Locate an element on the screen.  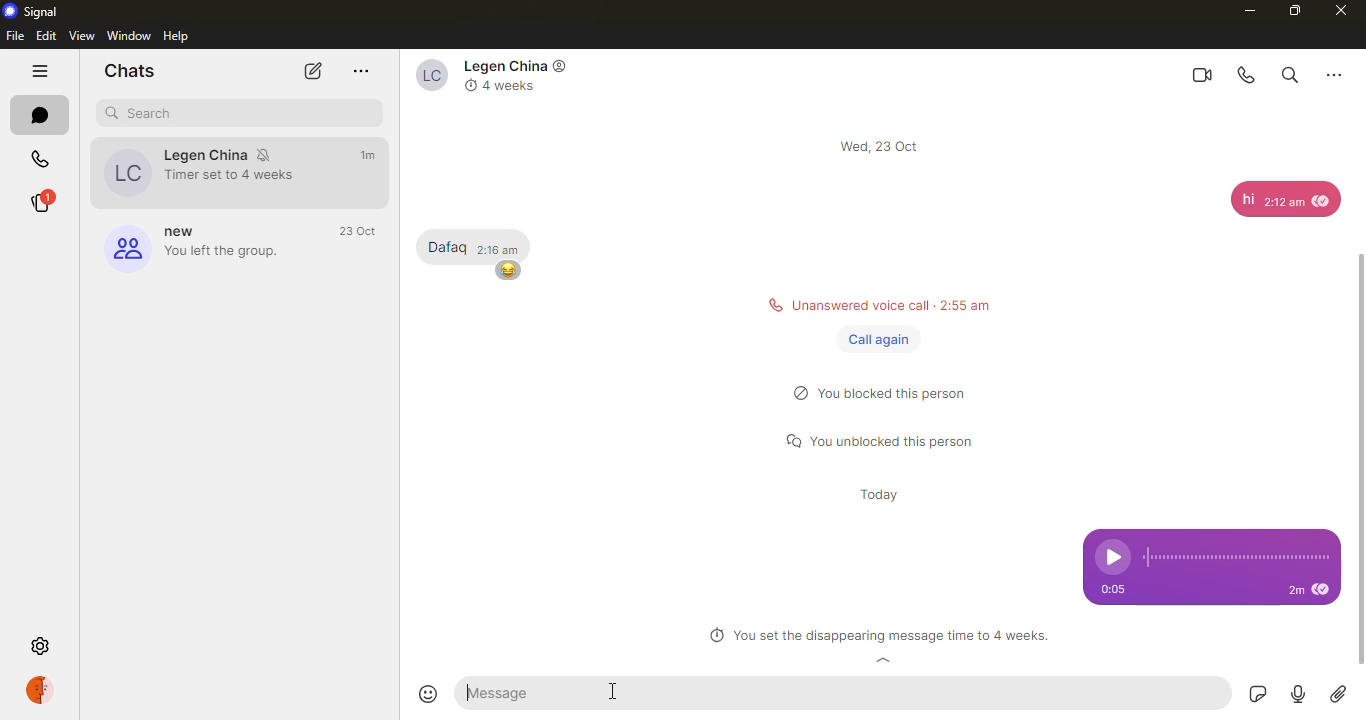
2m is located at coordinates (1294, 591).